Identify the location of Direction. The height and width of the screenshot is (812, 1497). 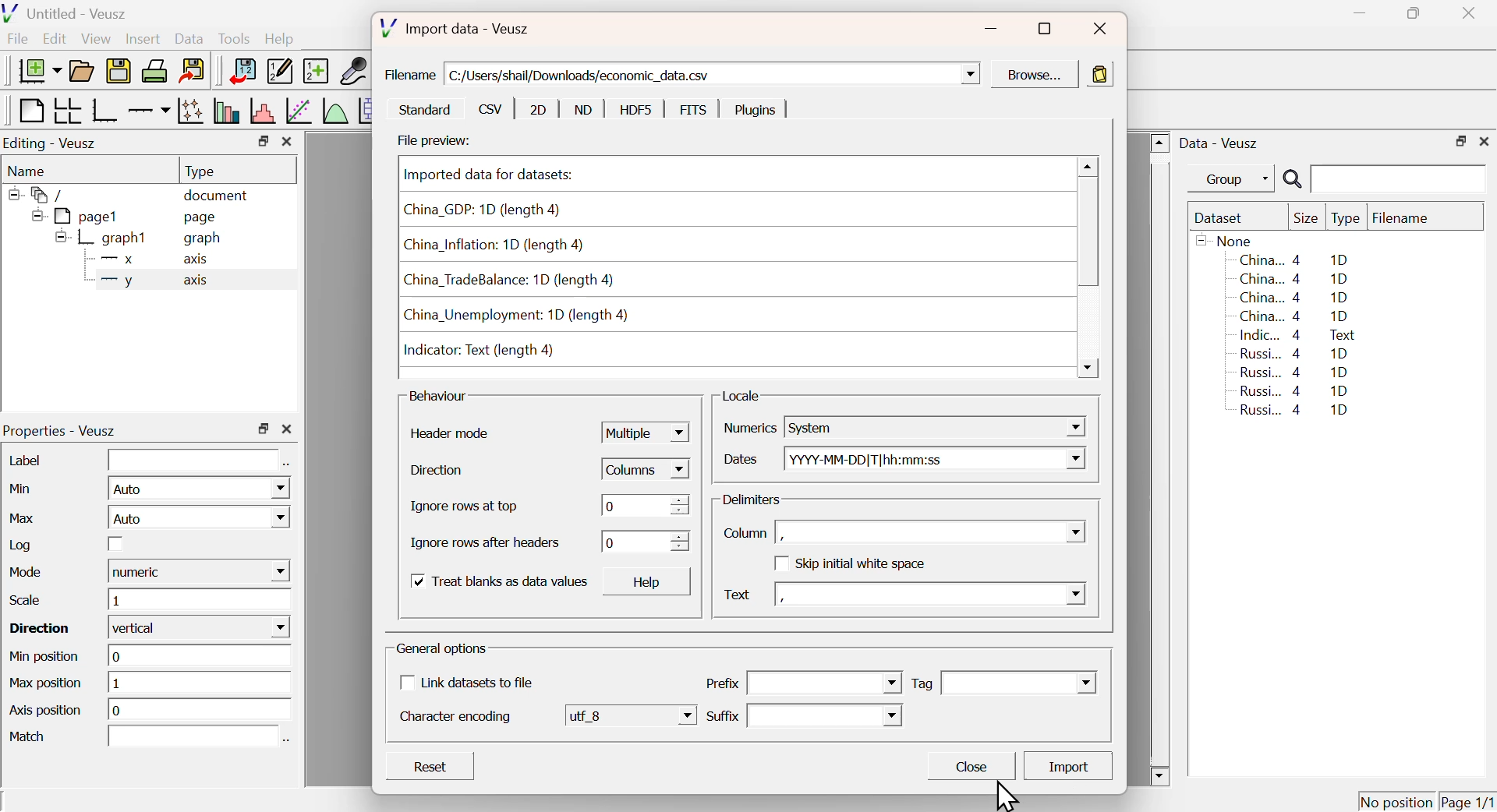
(440, 468).